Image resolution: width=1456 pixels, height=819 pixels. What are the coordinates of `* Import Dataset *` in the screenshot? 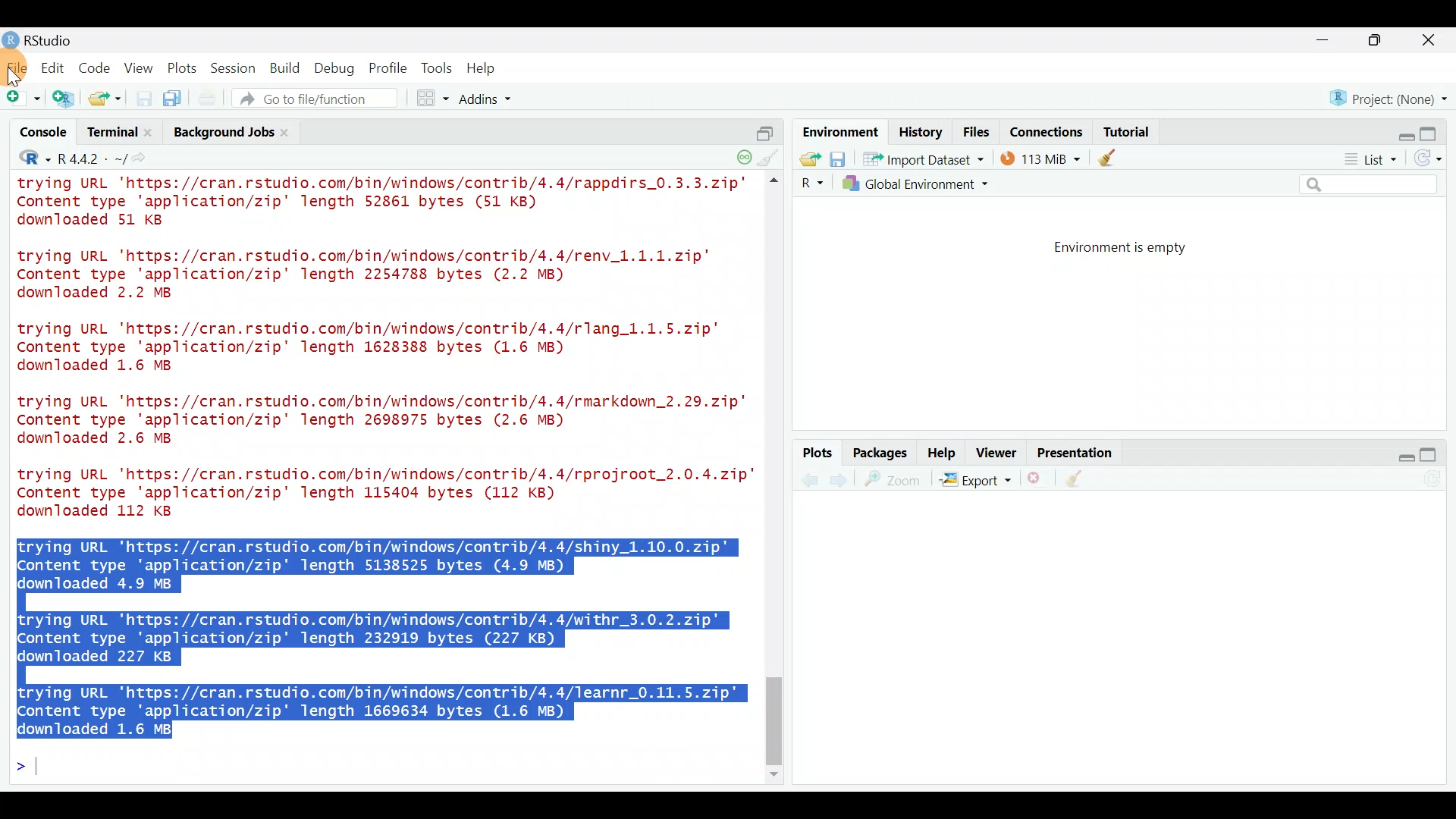 It's located at (919, 159).